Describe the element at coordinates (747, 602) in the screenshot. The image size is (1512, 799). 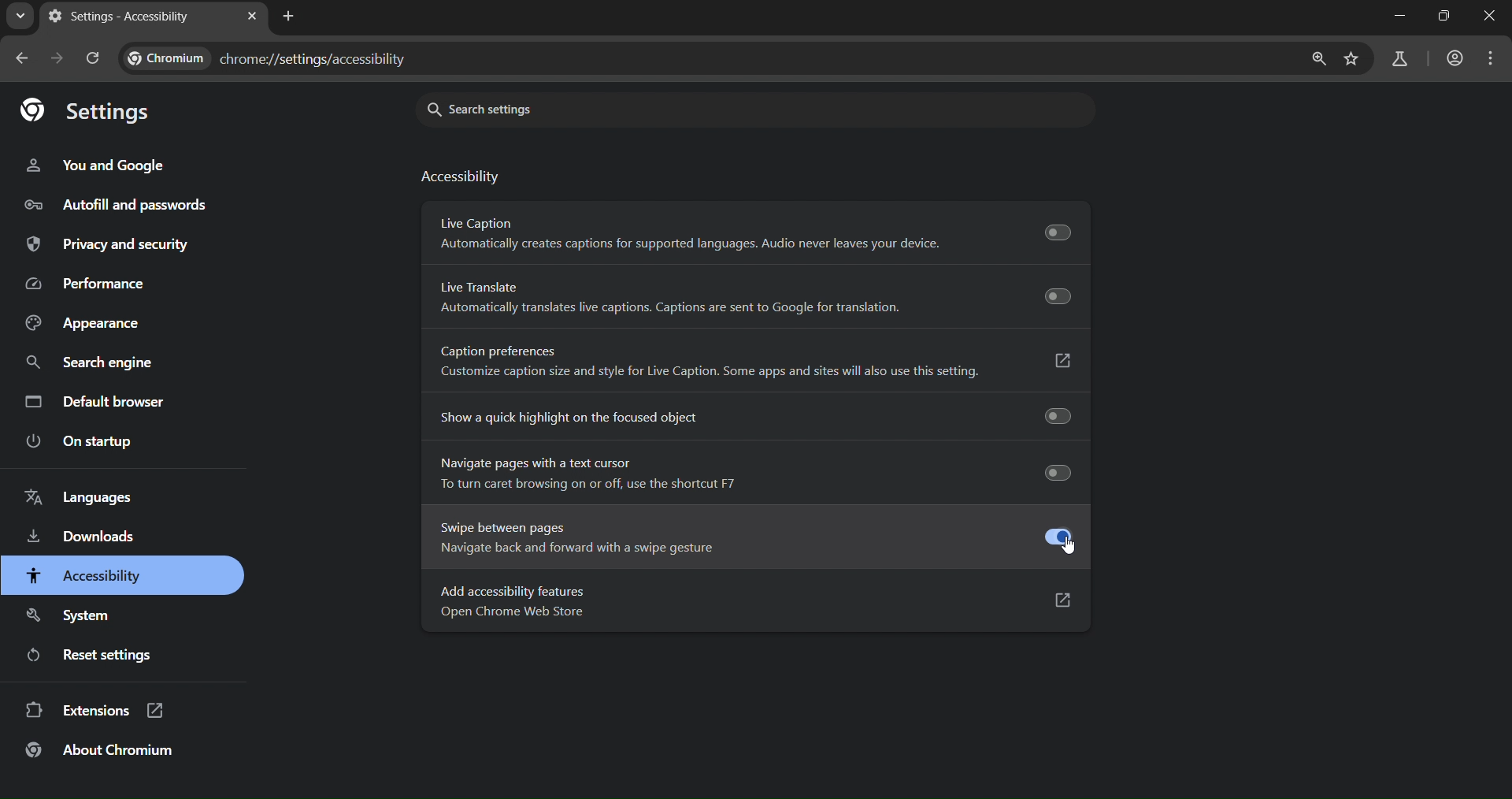
I see `Add accessibility features
Open Chrome Web Store` at that location.